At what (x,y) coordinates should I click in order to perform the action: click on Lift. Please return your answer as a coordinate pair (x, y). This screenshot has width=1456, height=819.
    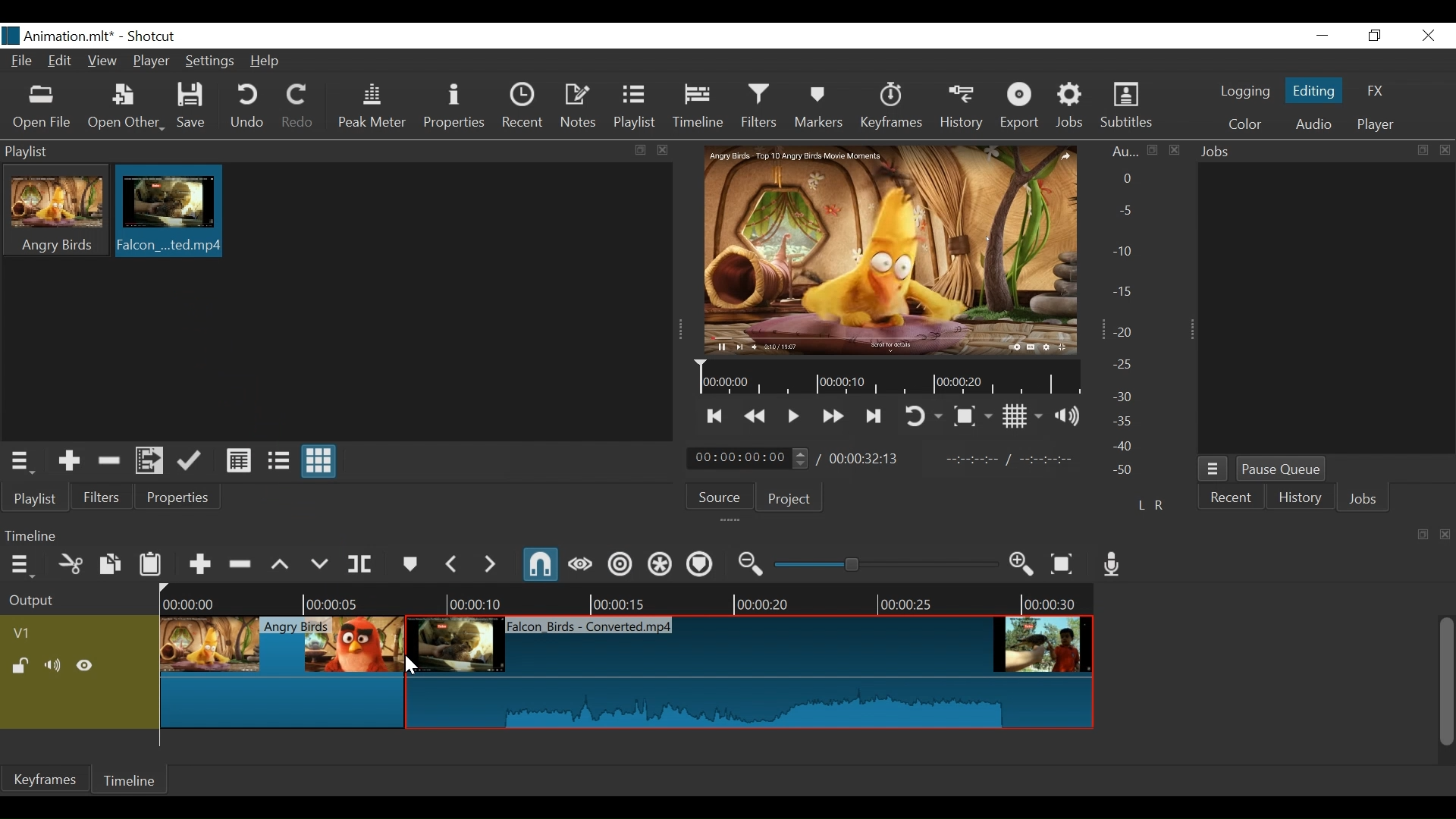
    Looking at the image, I should click on (281, 563).